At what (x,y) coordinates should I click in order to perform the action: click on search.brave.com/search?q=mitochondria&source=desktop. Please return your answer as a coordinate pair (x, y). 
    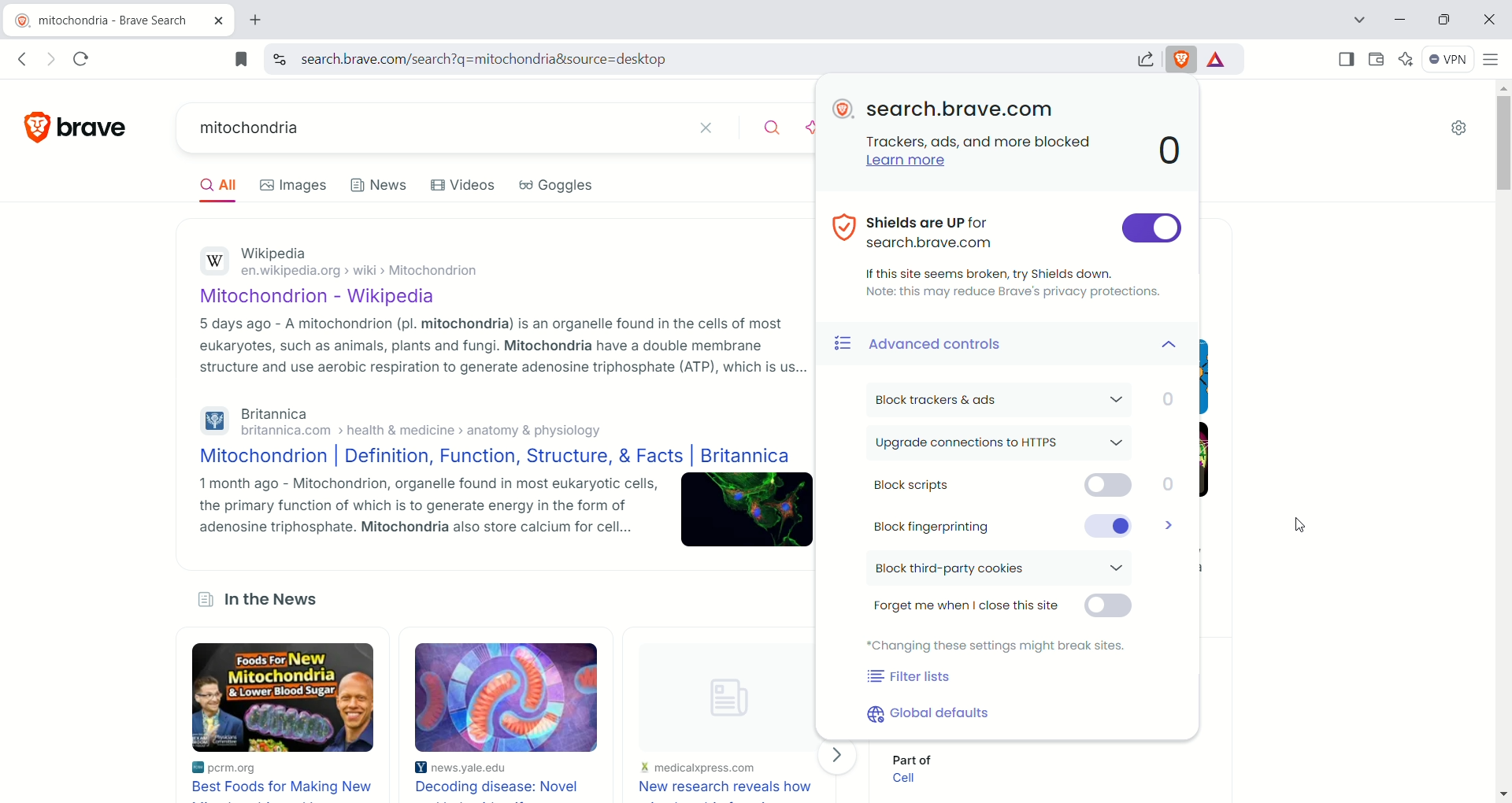
    Looking at the image, I should click on (710, 59).